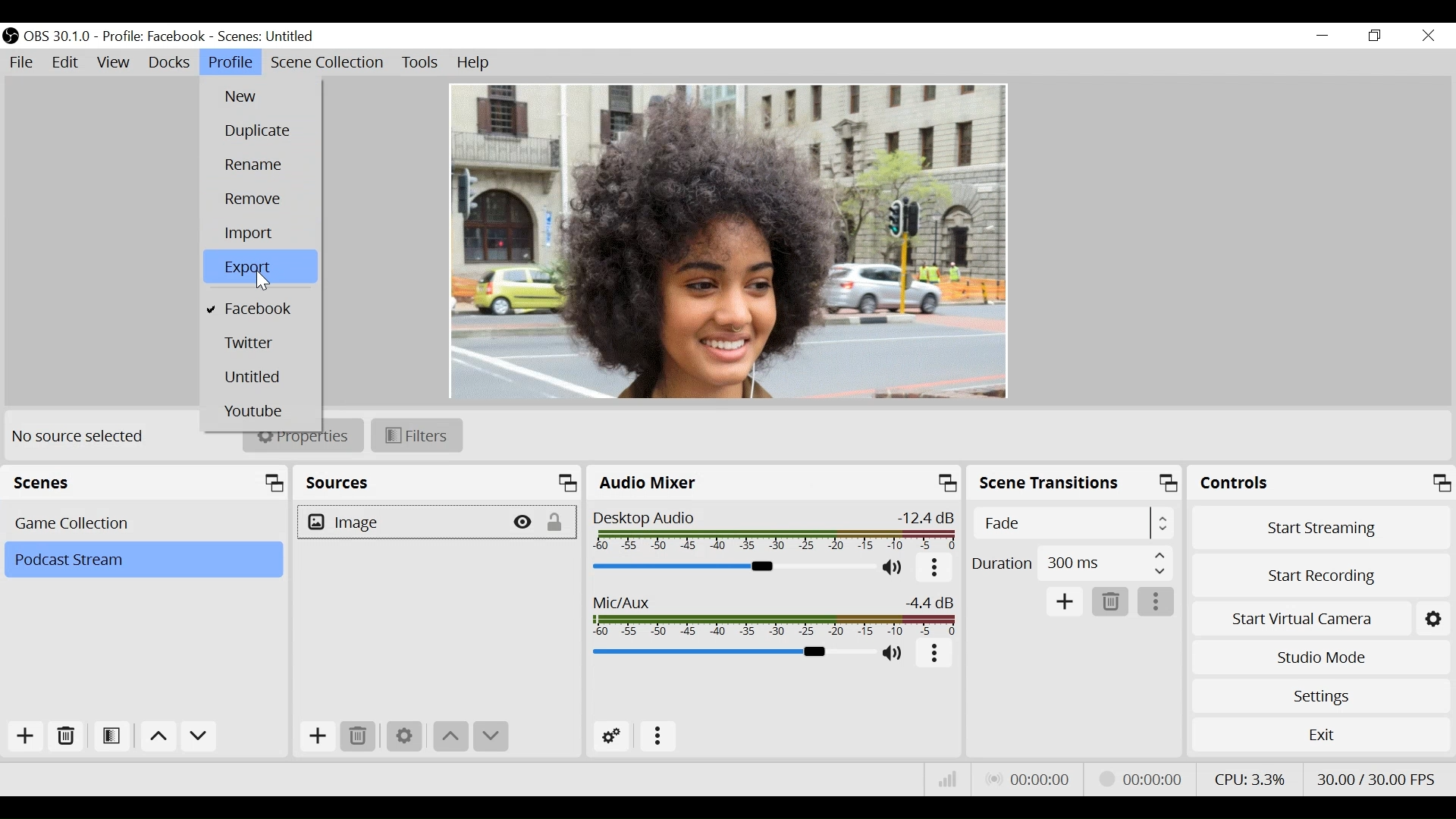 The height and width of the screenshot is (819, 1456). Describe the element at coordinates (169, 64) in the screenshot. I see `Docks` at that location.